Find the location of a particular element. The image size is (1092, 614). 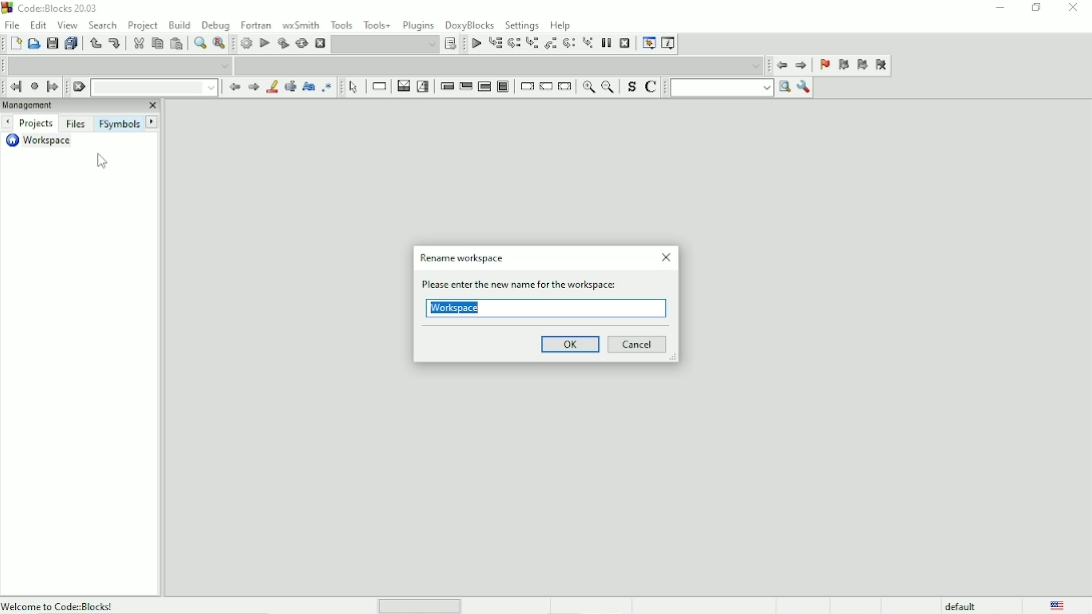

Highlight is located at coordinates (271, 87).